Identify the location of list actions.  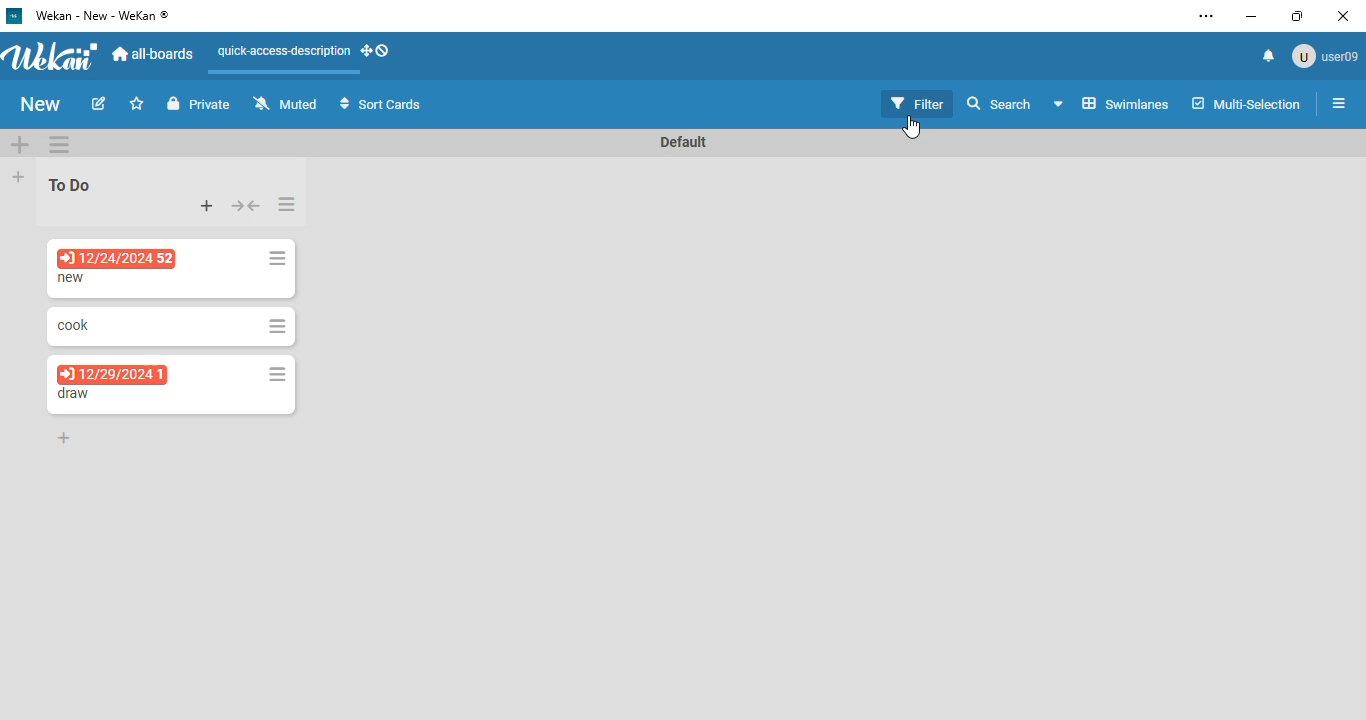
(288, 204).